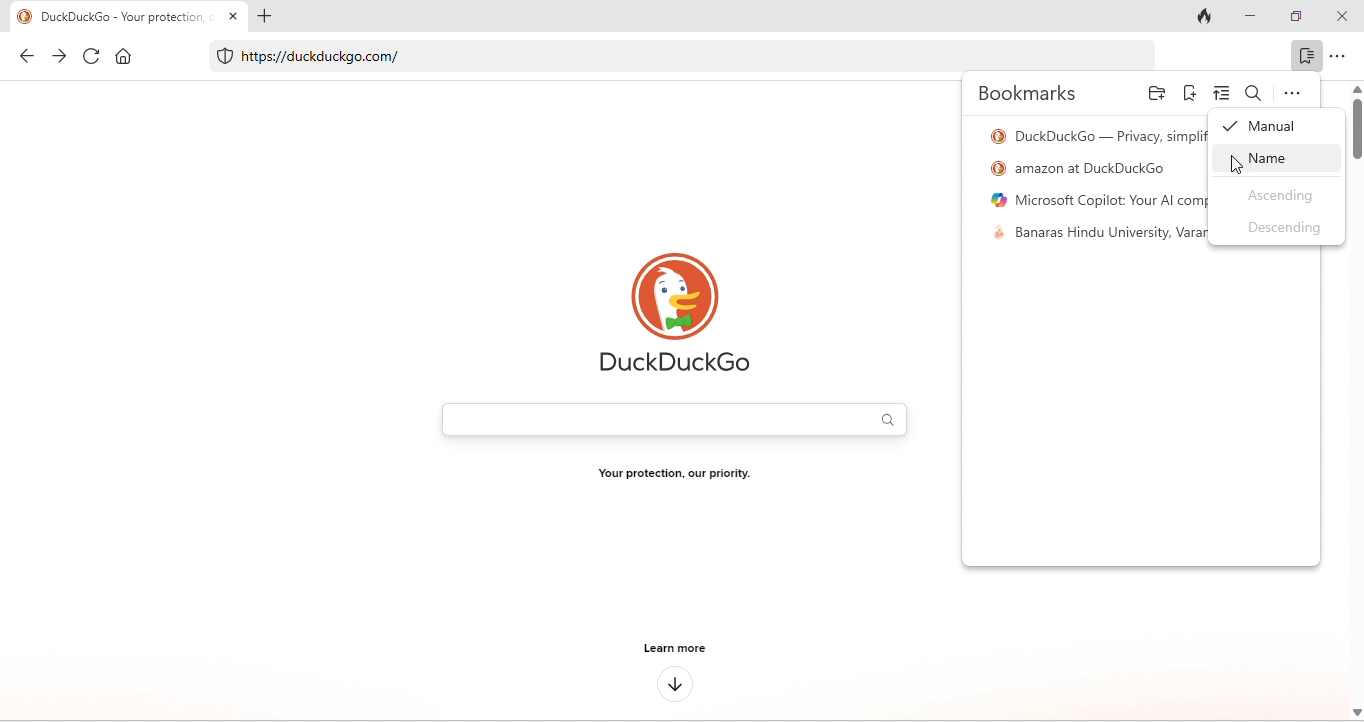 The image size is (1364, 722). I want to click on amazon at duck duck go, so click(1084, 167).